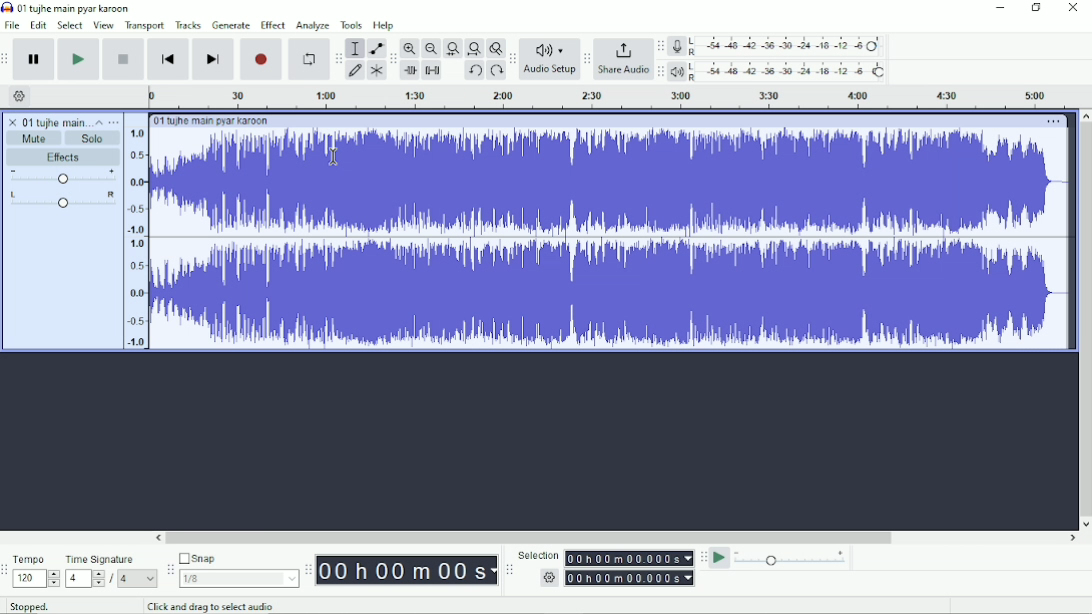 This screenshot has width=1092, height=614. What do you see at coordinates (34, 59) in the screenshot?
I see `Pause` at bounding box center [34, 59].